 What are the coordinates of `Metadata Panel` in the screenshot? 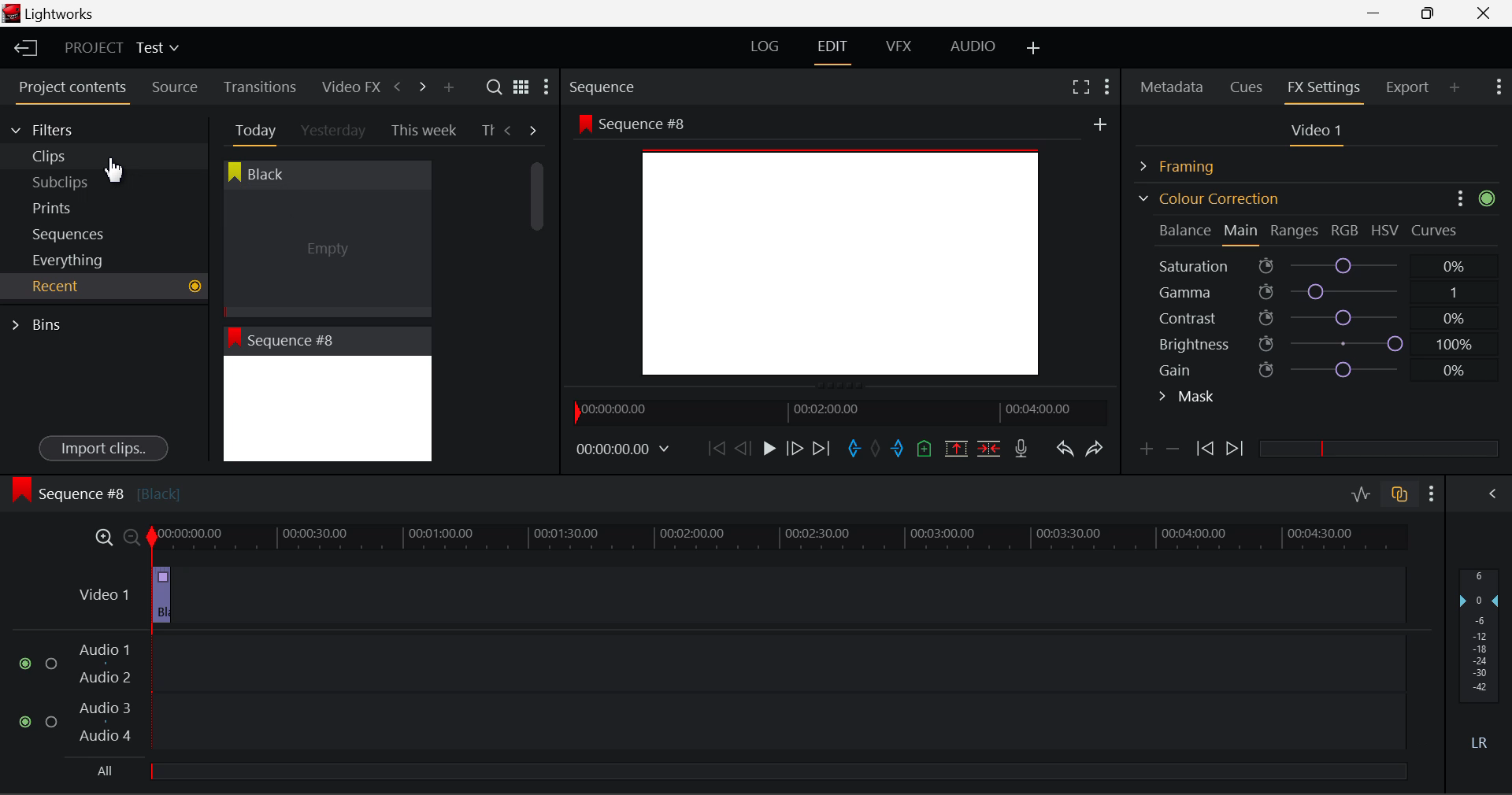 It's located at (1173, 84).